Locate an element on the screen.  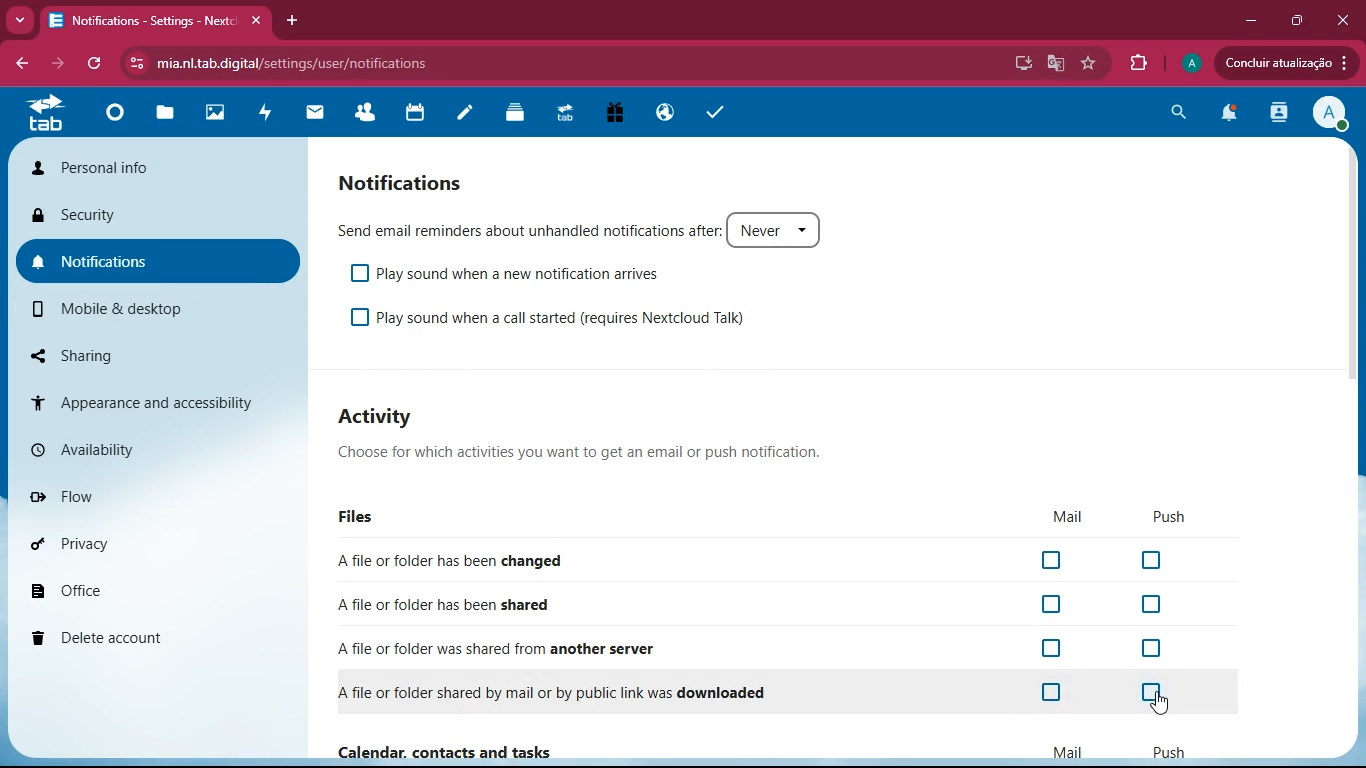
Choose for which activities you want to get an email or push notification. is located at coordinates (592, 454).